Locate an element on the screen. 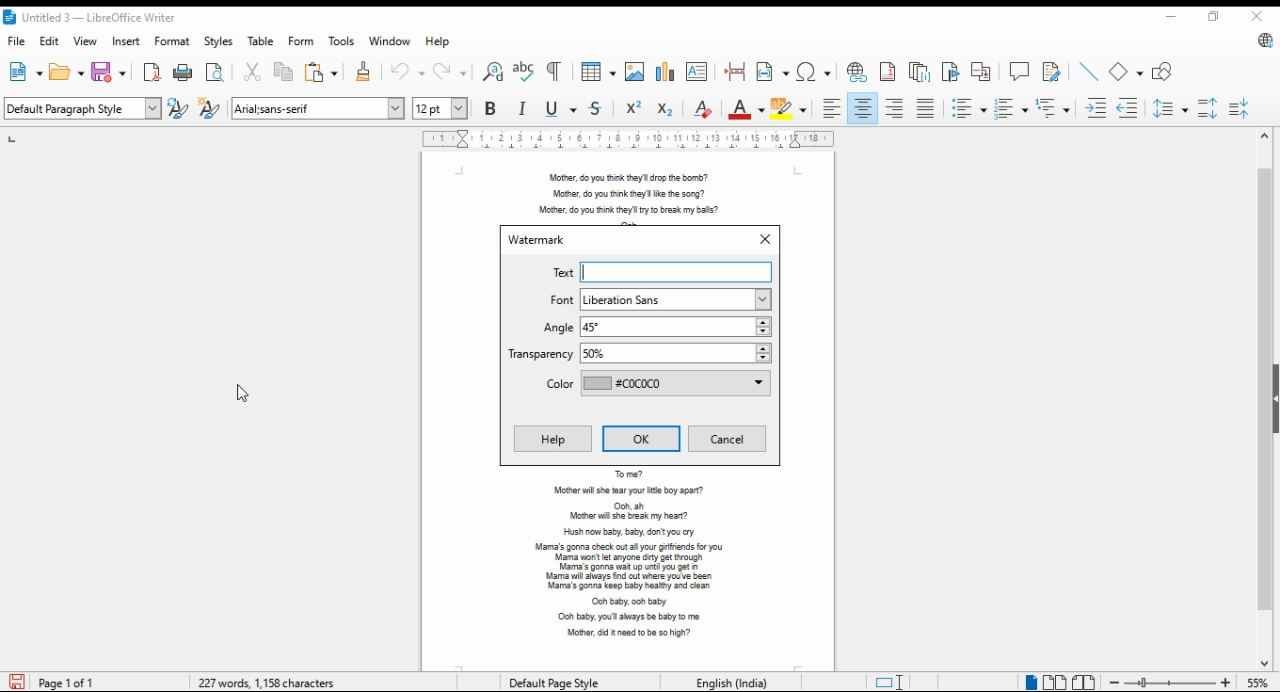  insert chart is located at coordinates (667, 72).